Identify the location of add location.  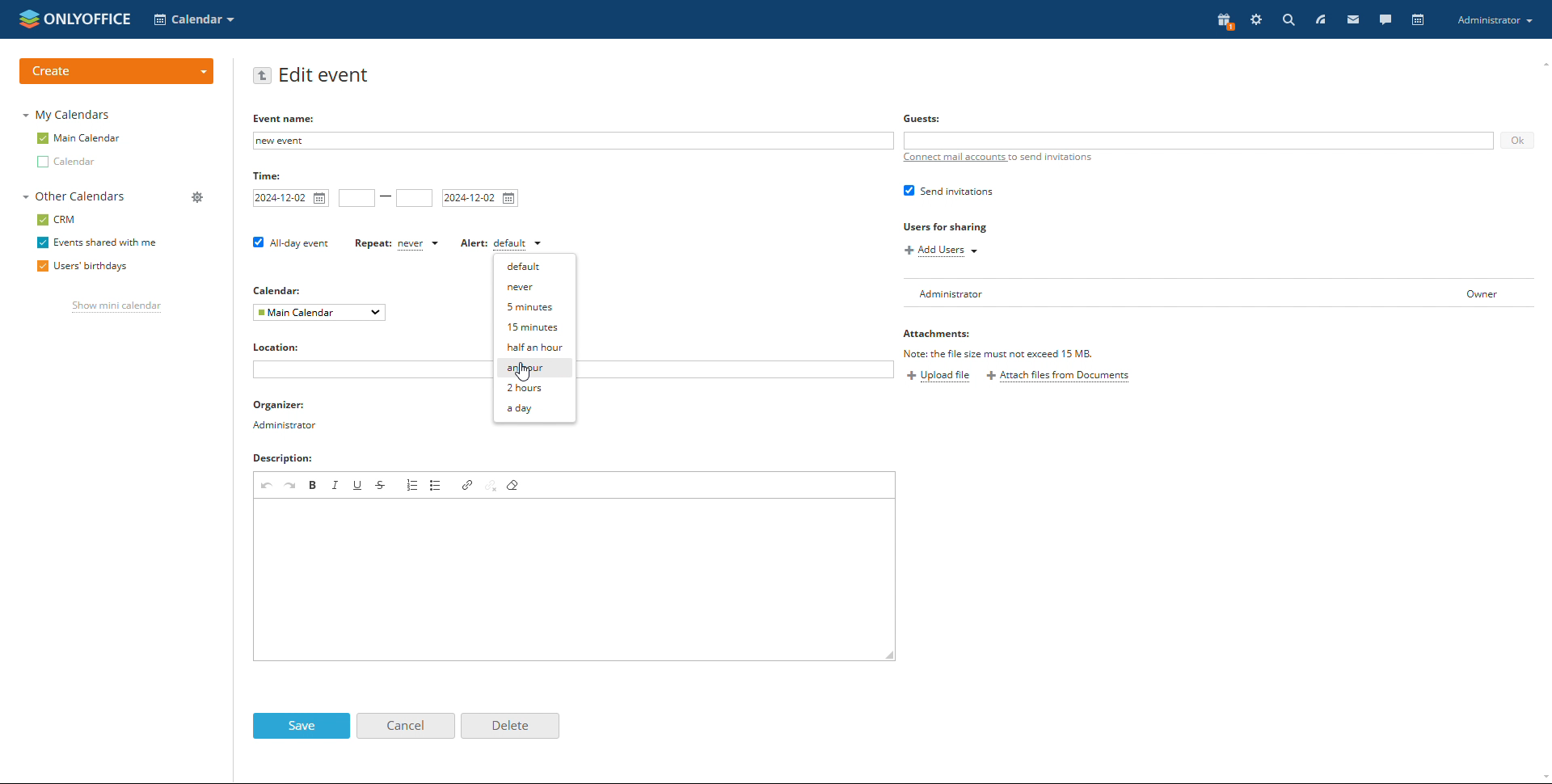
(350, 370).